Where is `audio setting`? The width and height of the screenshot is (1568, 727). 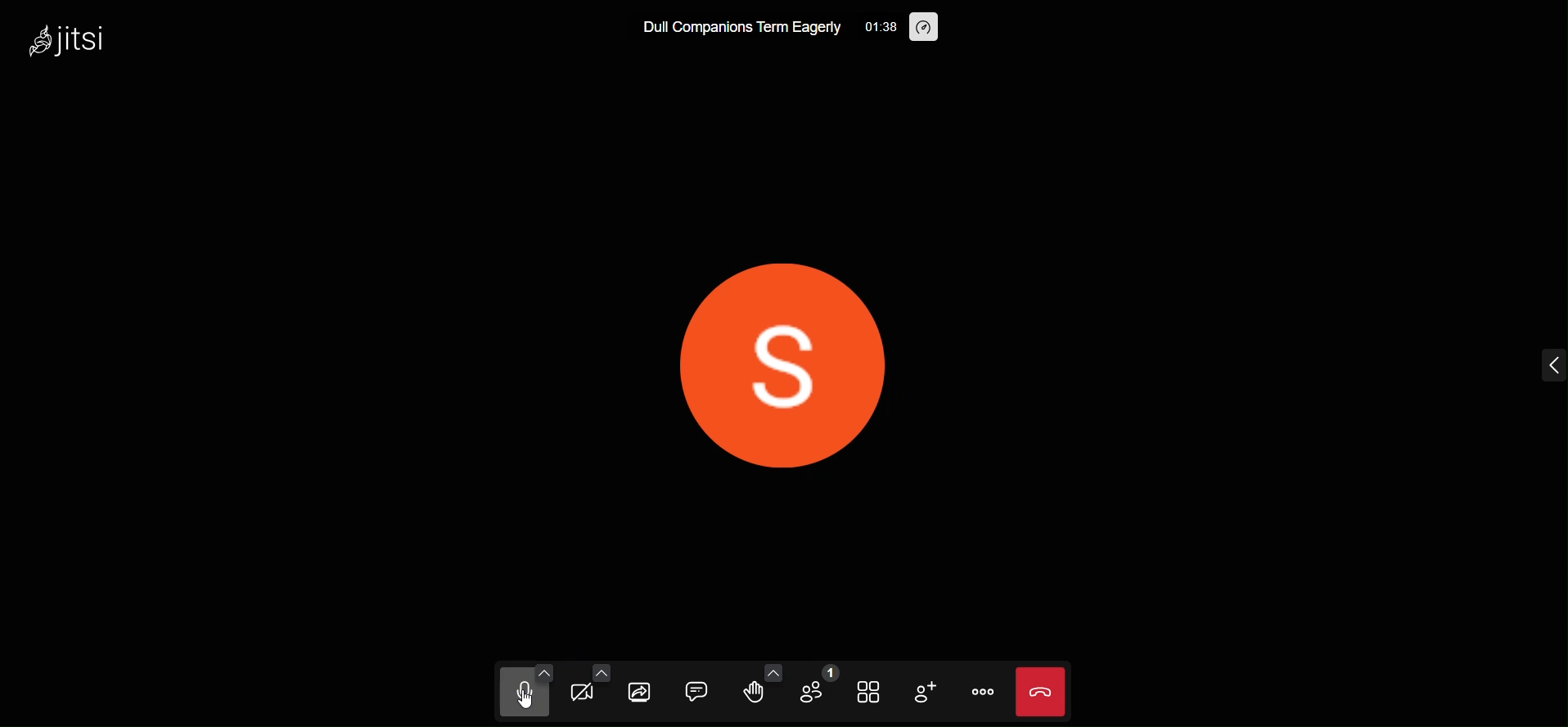
audio setting is located at coordinates (543, 670).